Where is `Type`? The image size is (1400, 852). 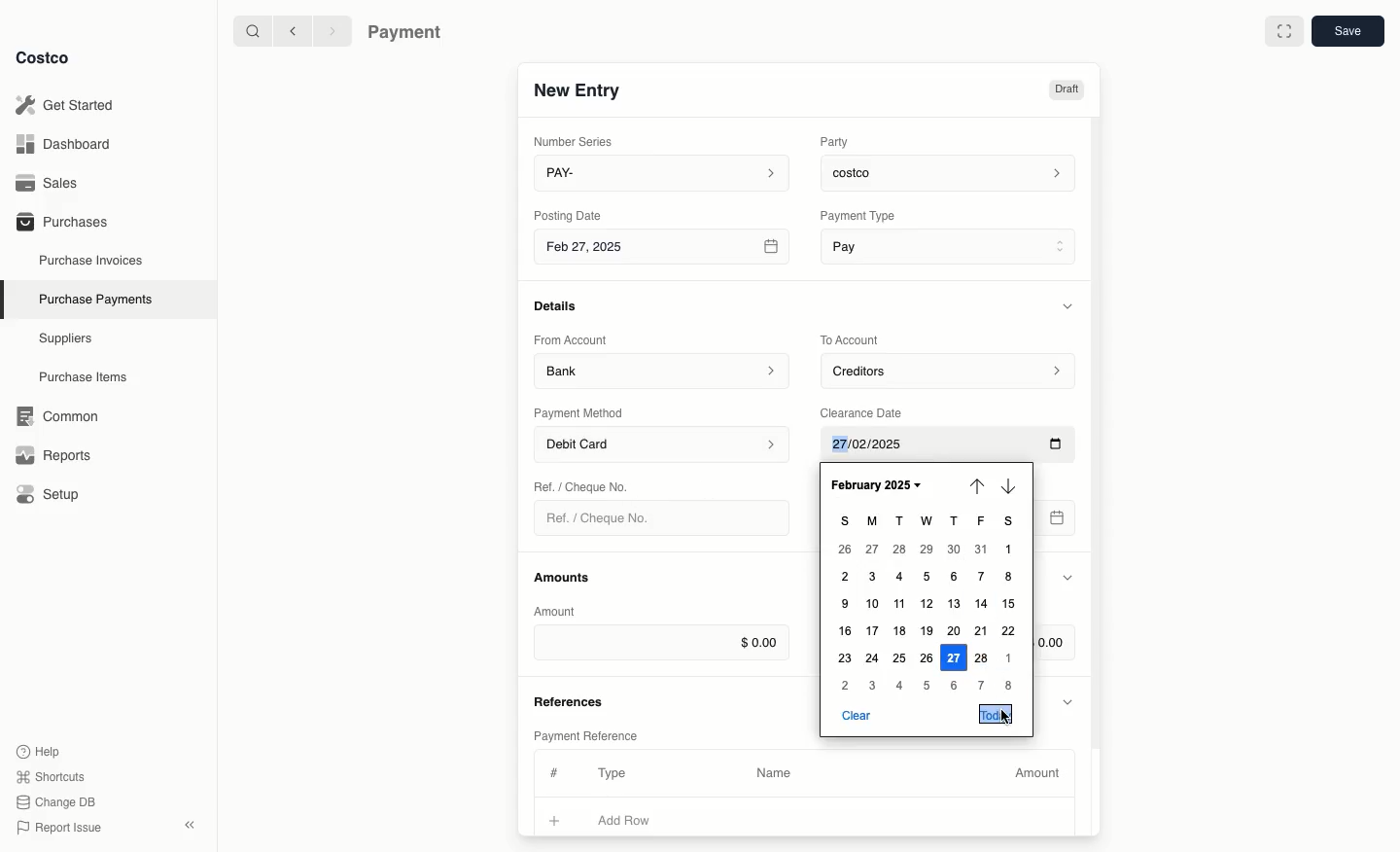
Type is located at coordinates (616, 773).